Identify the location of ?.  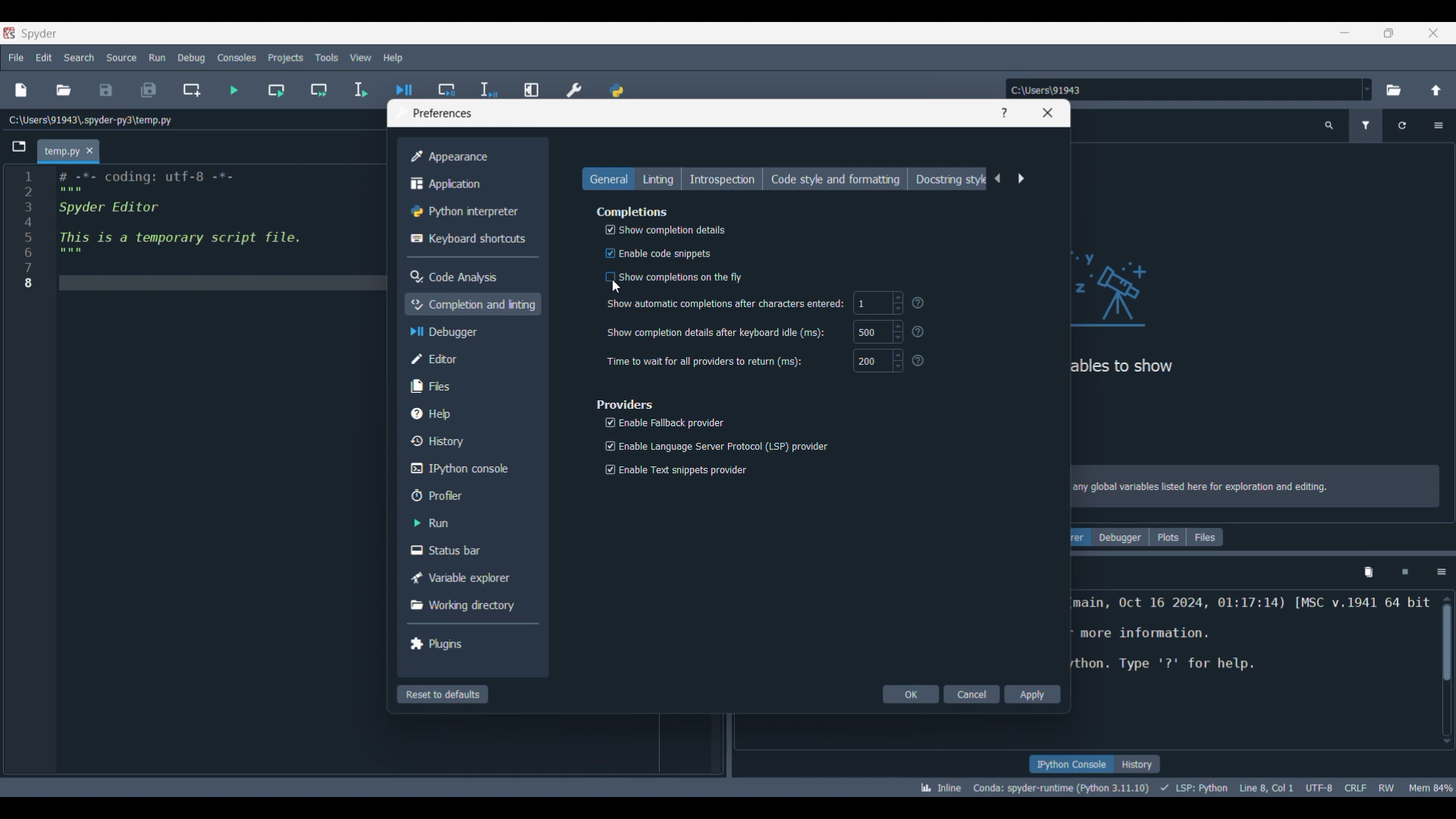
(921, 362).